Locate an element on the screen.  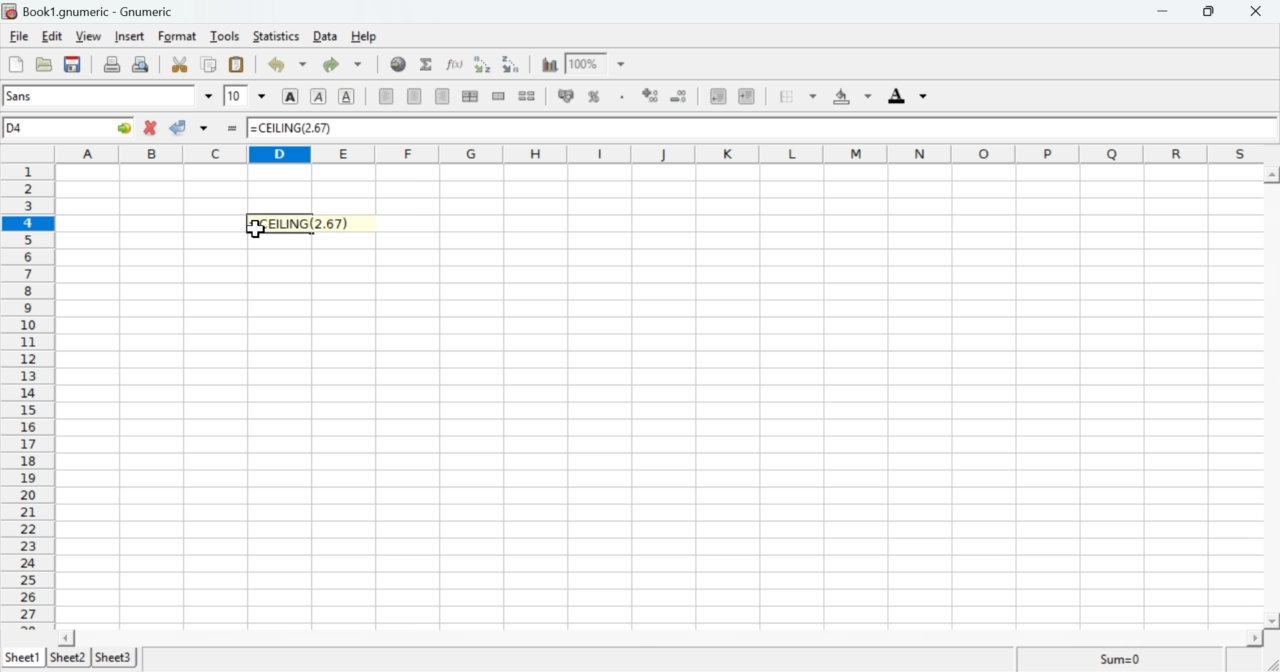
Print is located at coordinates (113, 65).